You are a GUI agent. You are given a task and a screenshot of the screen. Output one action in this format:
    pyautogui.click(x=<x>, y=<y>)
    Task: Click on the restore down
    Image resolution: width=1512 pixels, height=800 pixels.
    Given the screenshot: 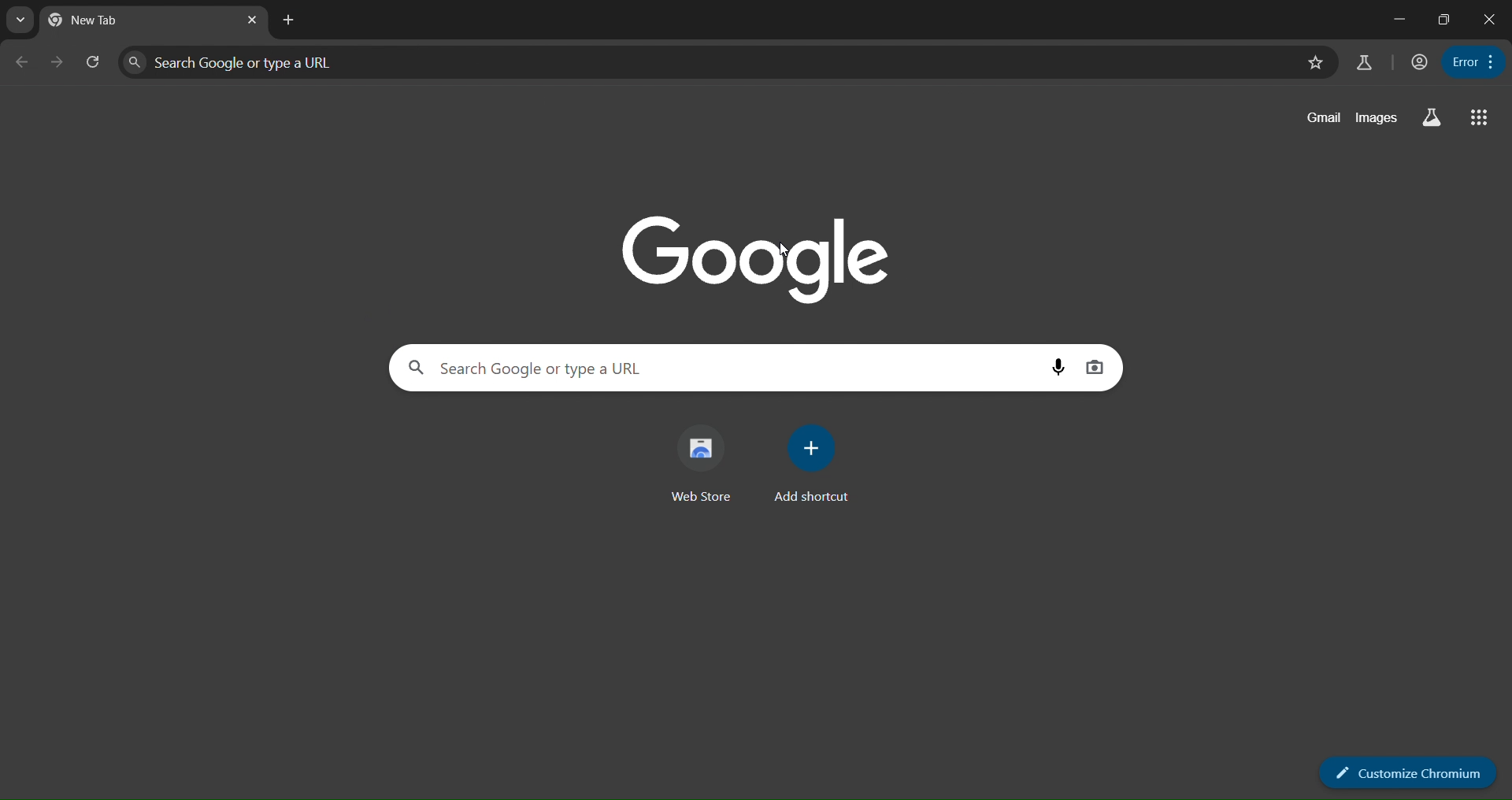 What is the action you would take?
    pyautogui.click(x=1444, y=20)
    